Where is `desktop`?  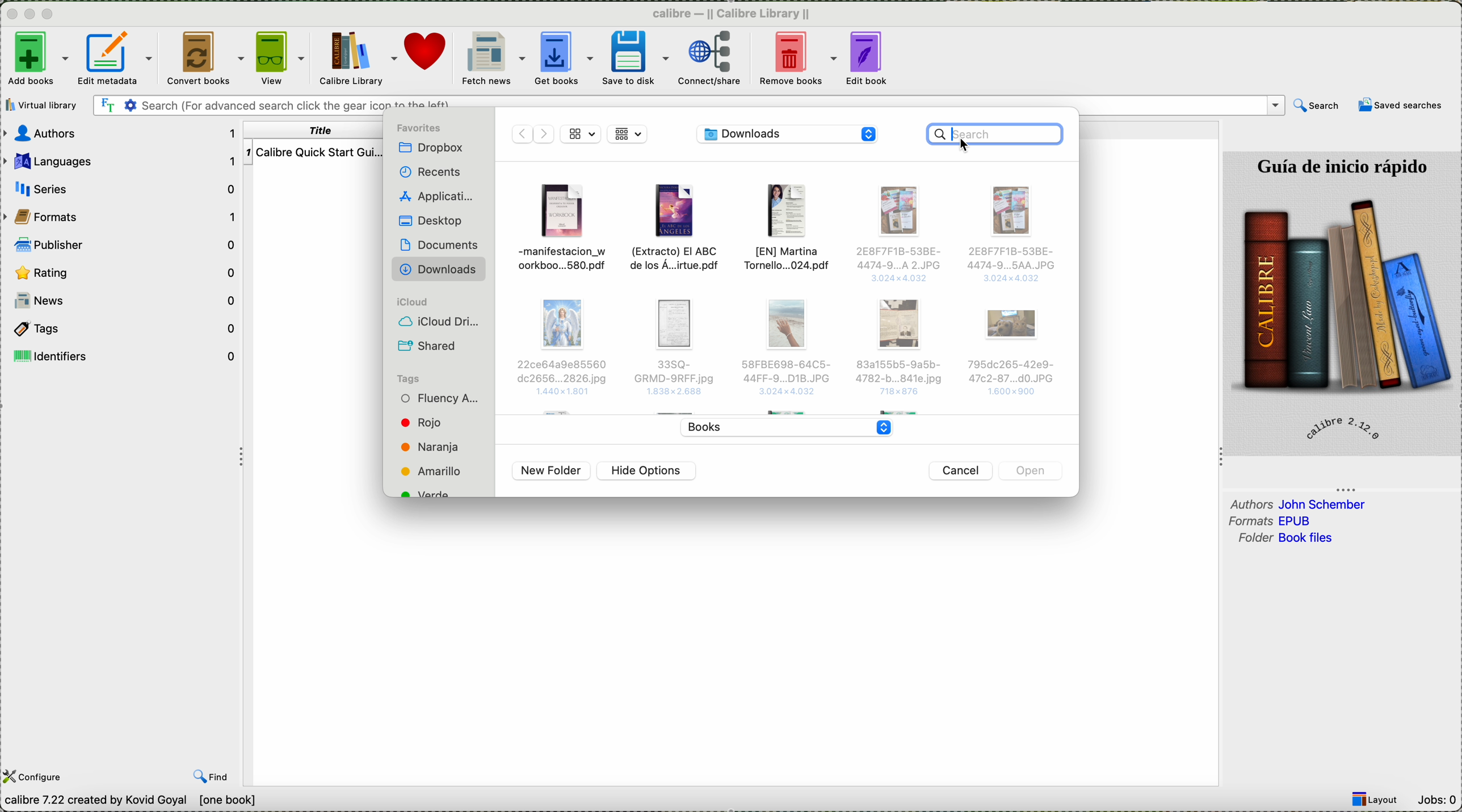 desktop is located at coordinates (427, 221).